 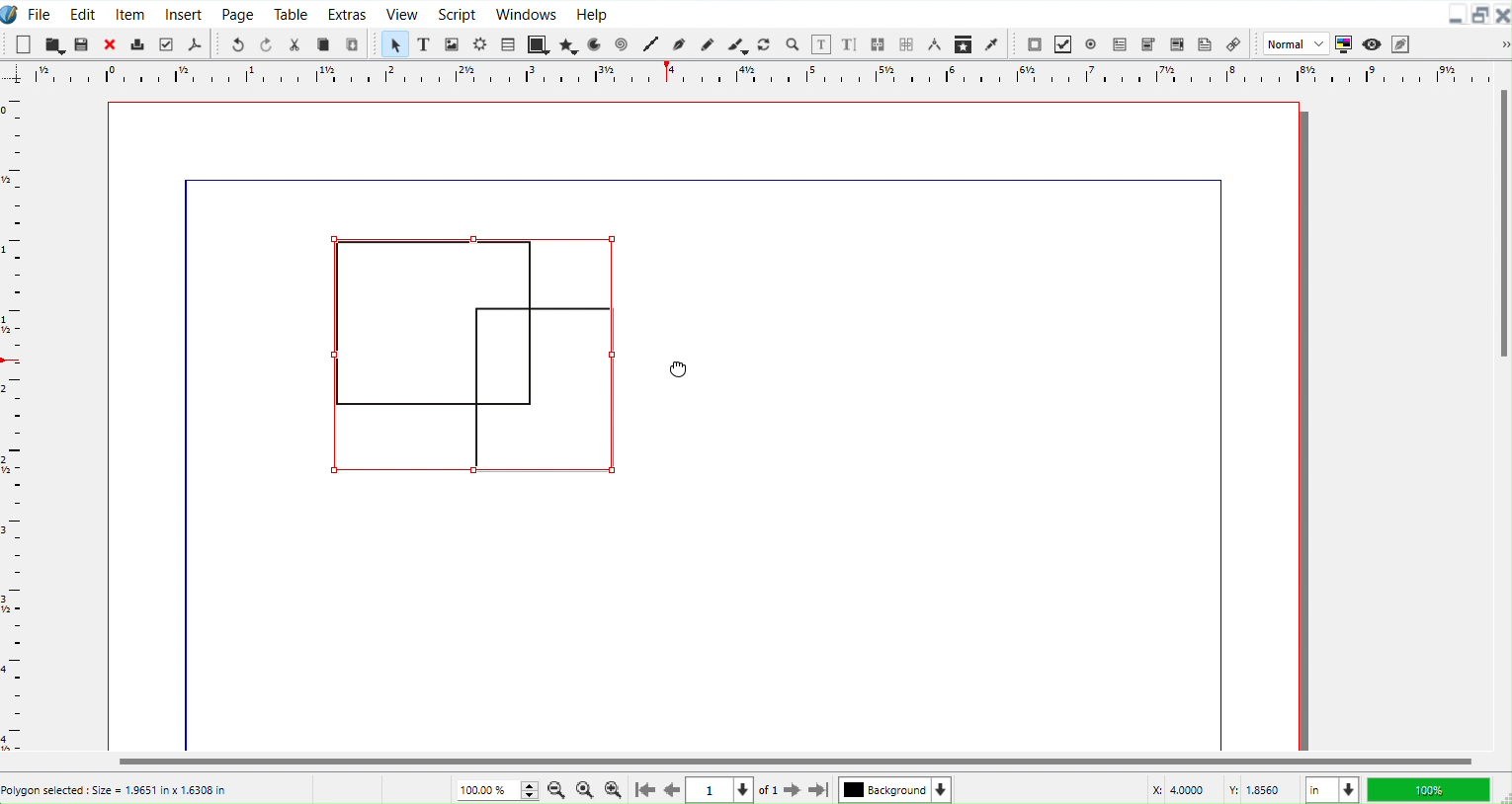 What do you see at coordinates (354, 43) in the screenshot?
I see `Paste` at bounding box center [354, 43].